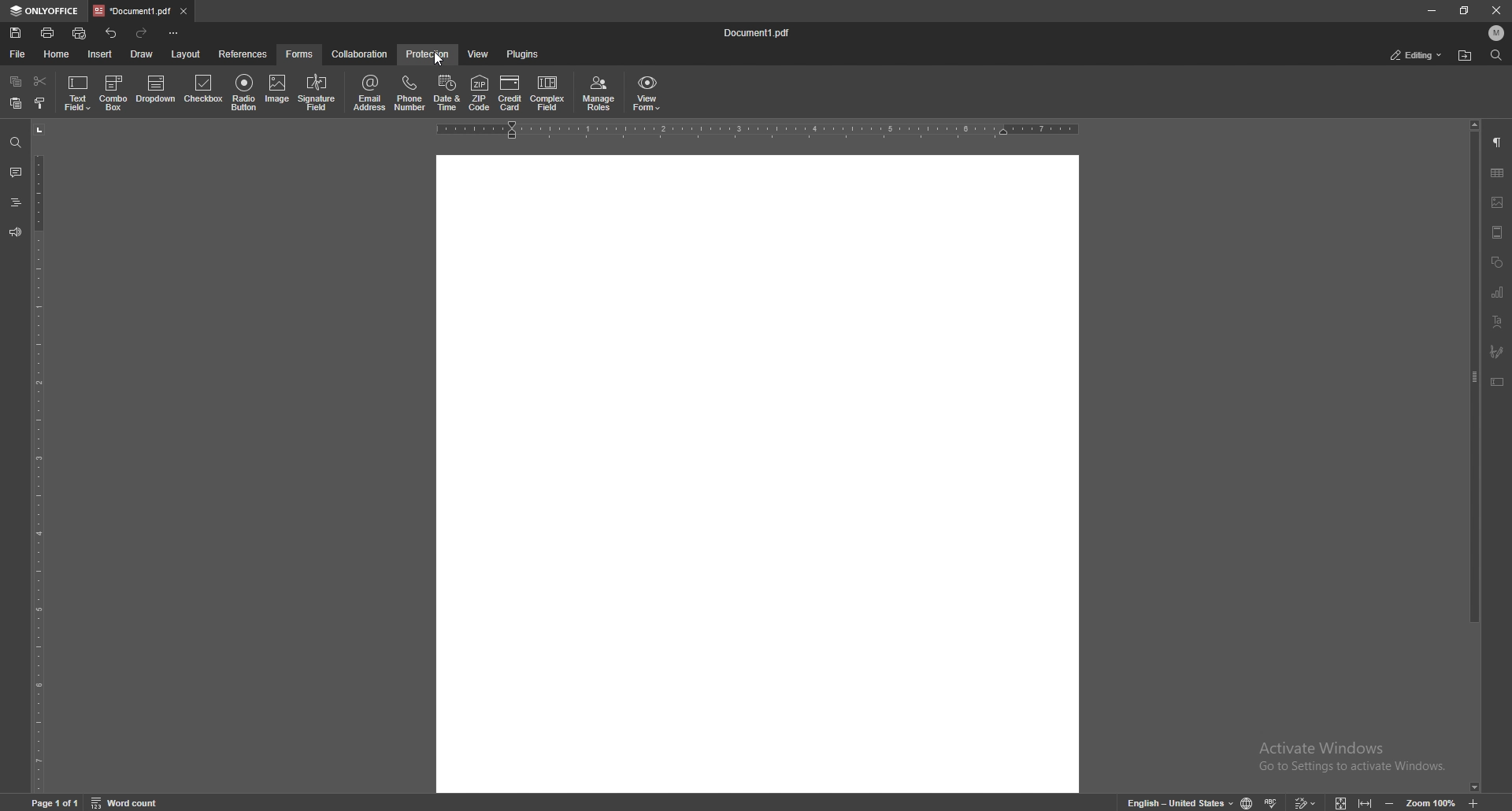 This screenshot has width=1512, height=811. Describe the element at coordinates (173, 32) in the screenshot. I see `customize toolbar` at that location.